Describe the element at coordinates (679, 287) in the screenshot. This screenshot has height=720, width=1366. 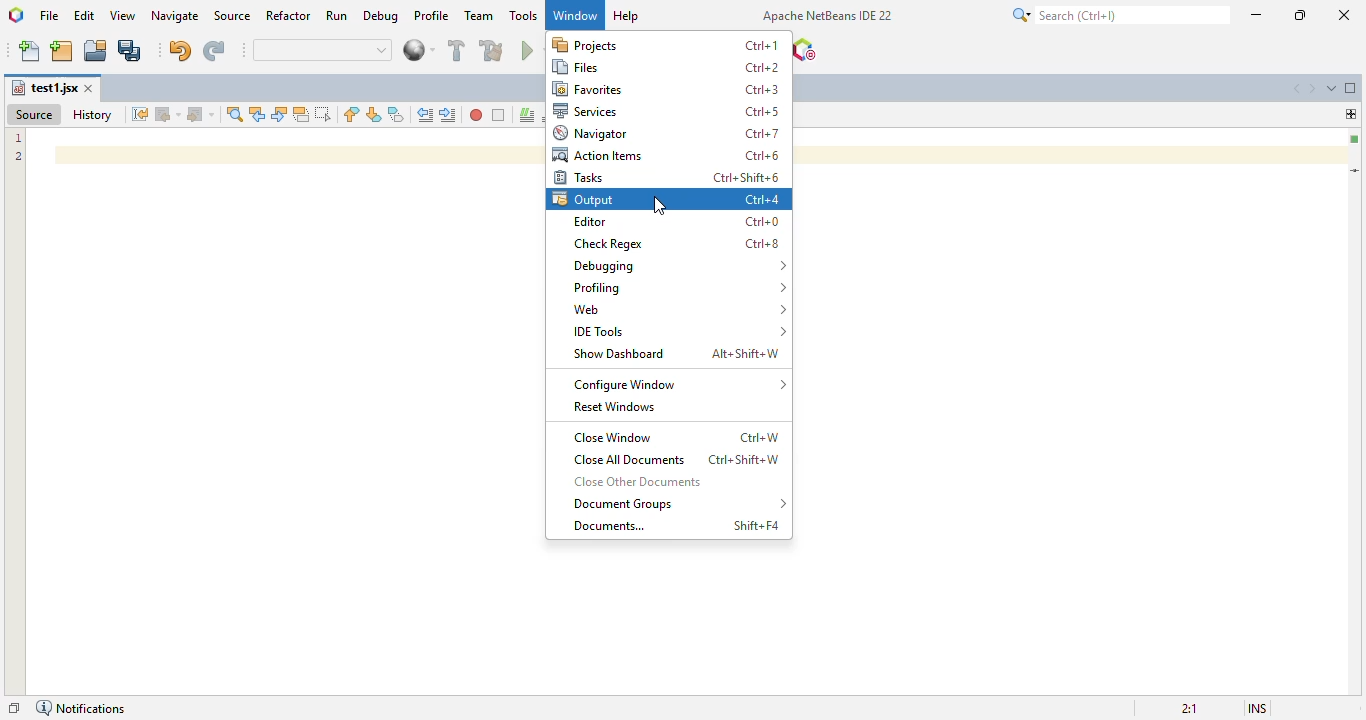
I see `profiling` at that location.